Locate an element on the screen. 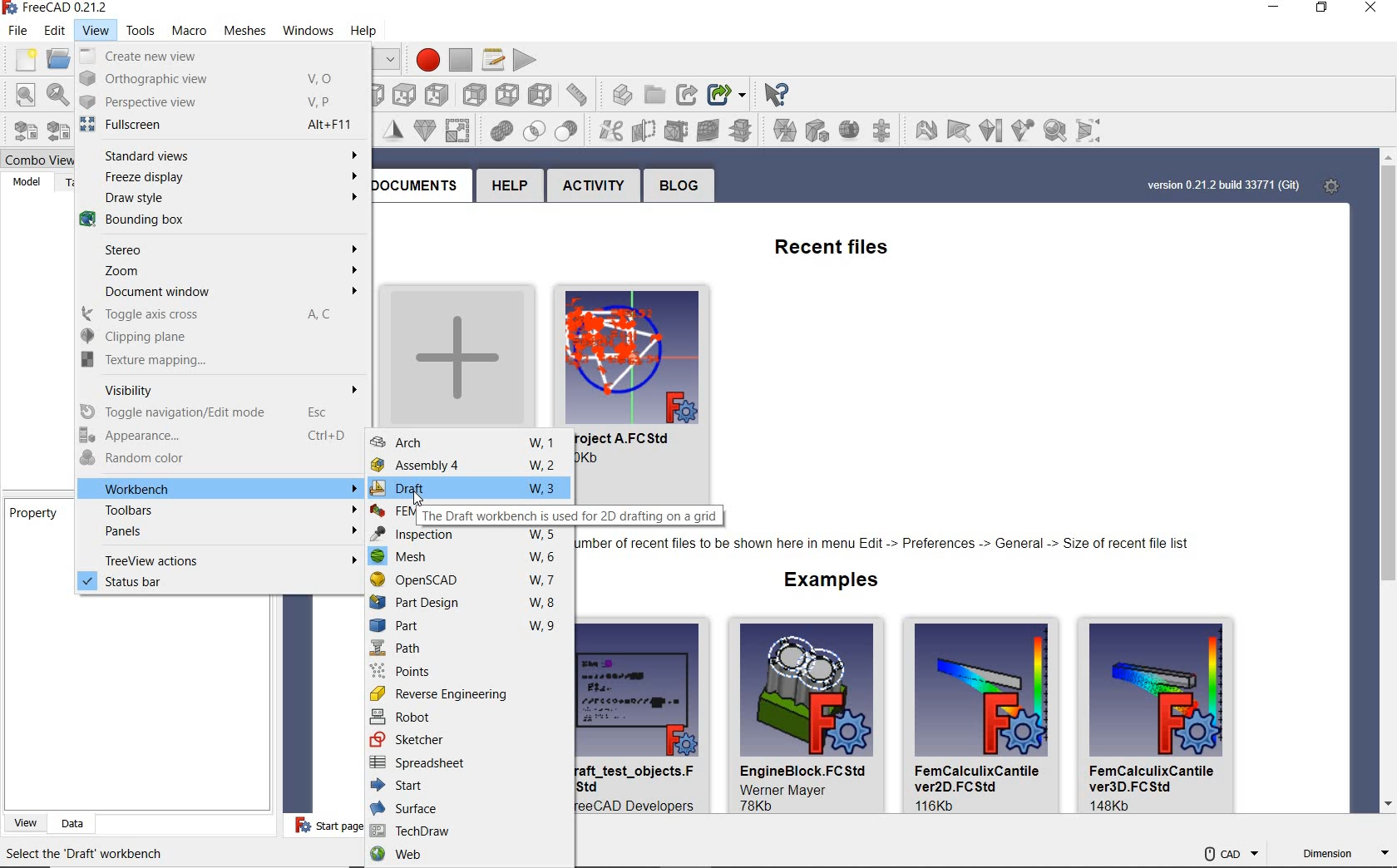  execute macro is located at coordinates (528, 58).